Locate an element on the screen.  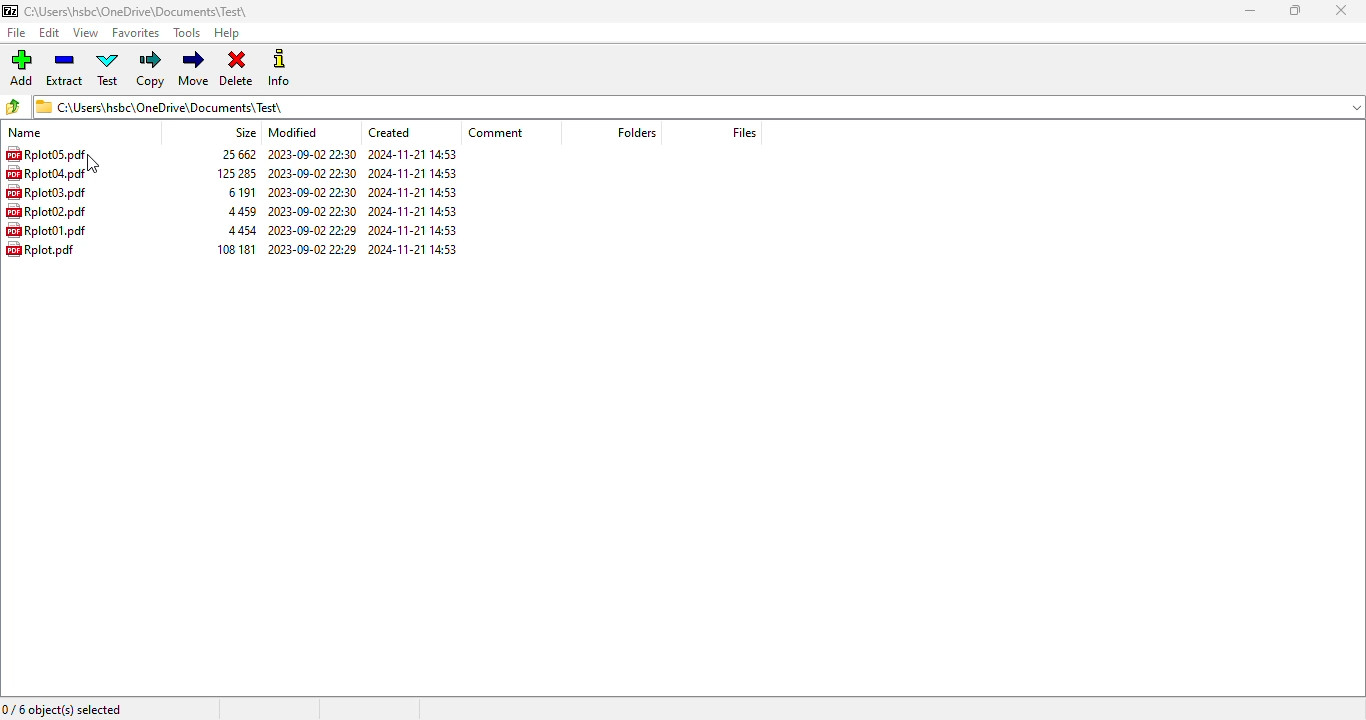
close is located at coordinates (1341, 10).